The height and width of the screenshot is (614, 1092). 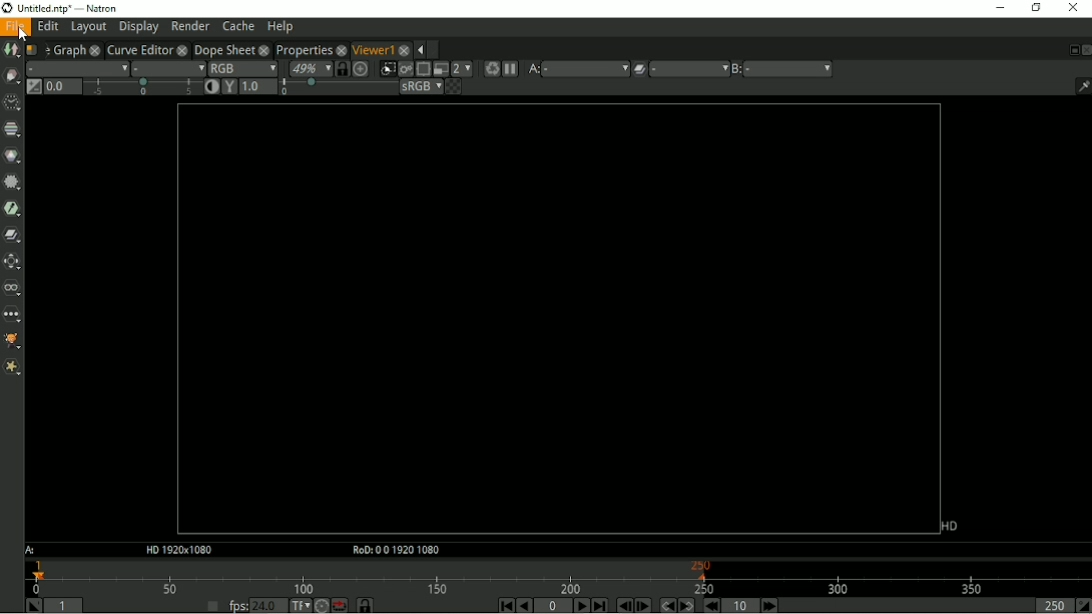 What do you see at coordinates (388, 69) in the screenshot?
I see `Clip portion of image` at bounding box center [388, 69].